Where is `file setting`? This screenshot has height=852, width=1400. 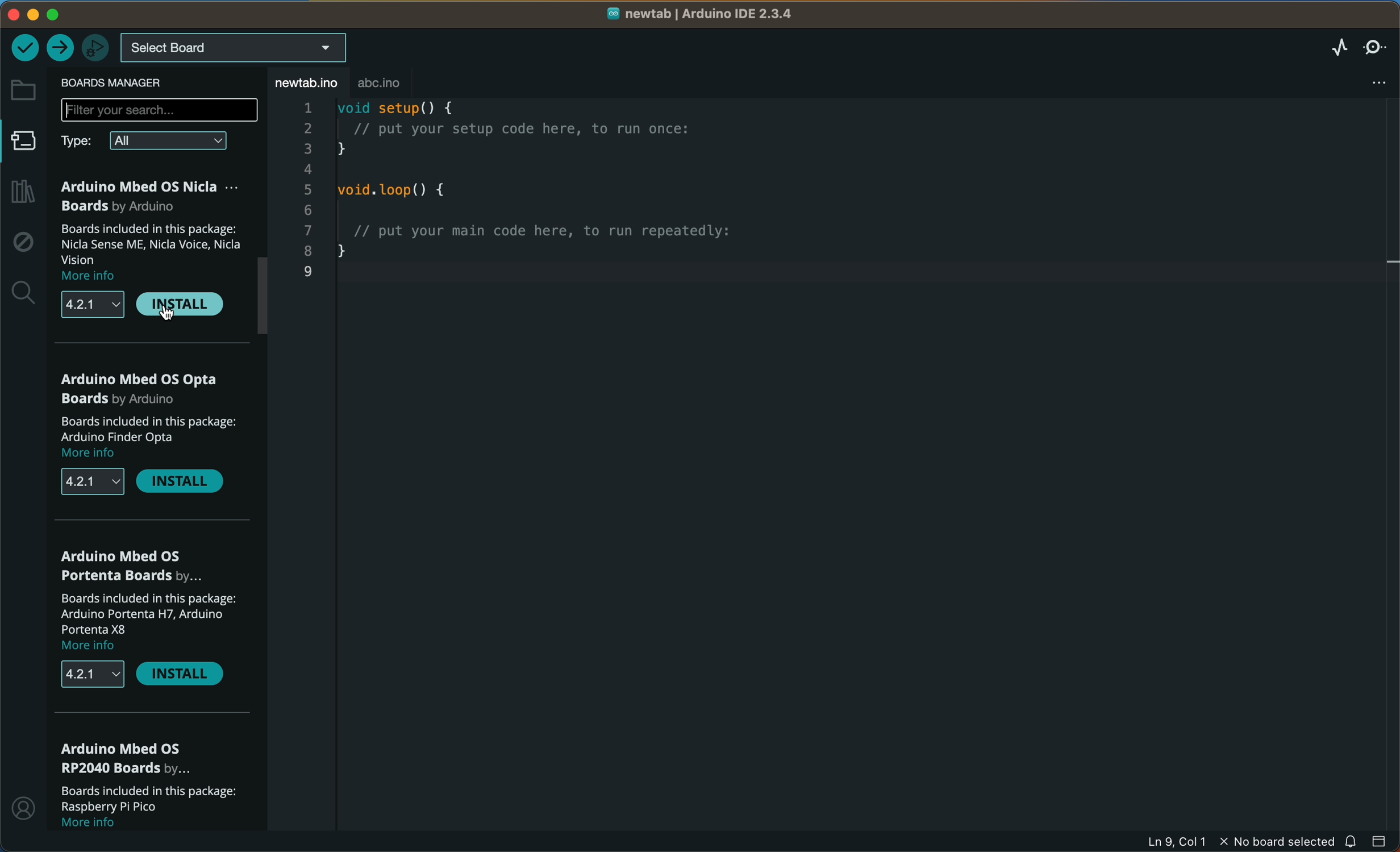
file setting is located at coordinates (1380, 79).